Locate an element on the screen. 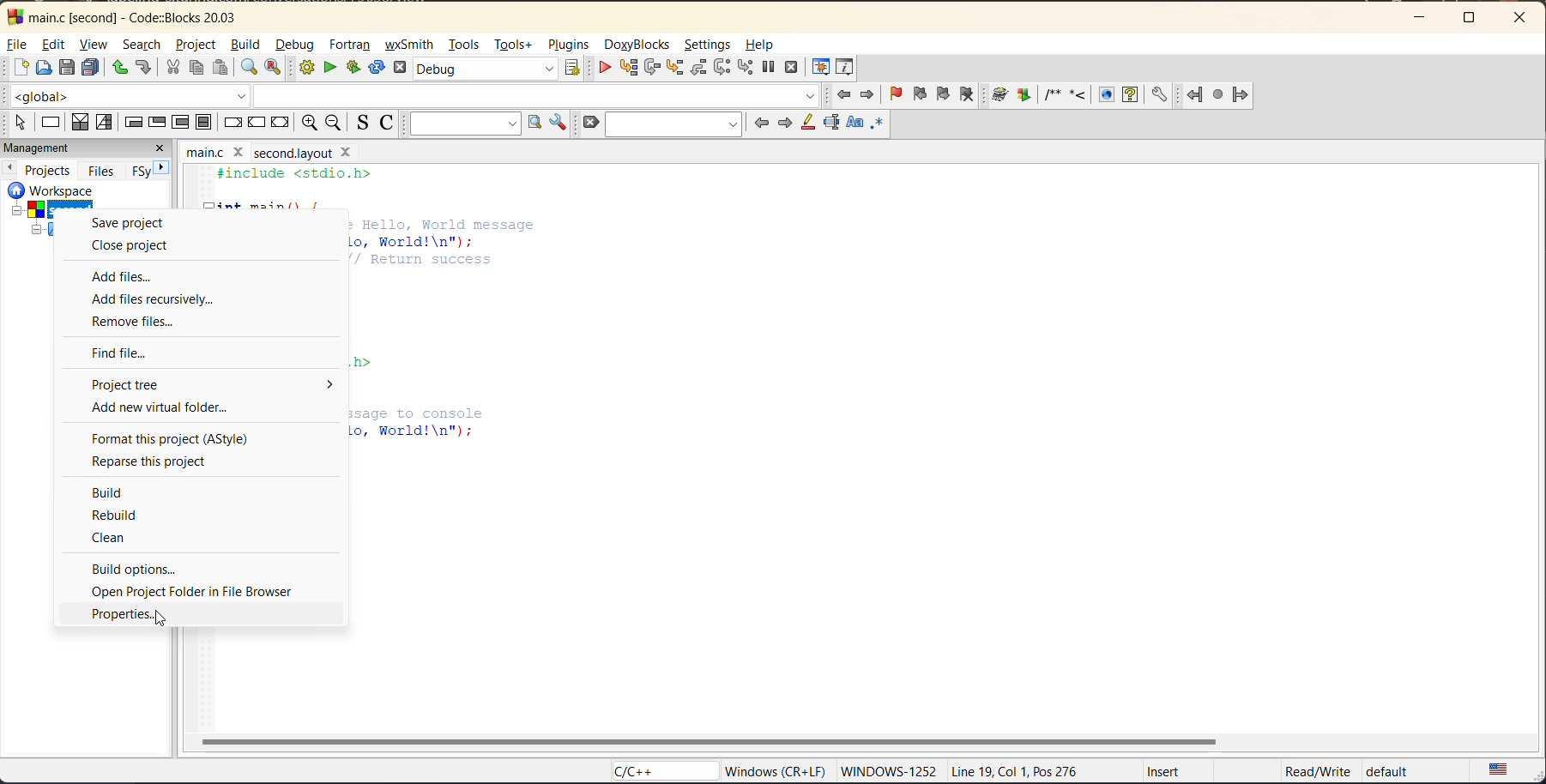  jump back is located at coordinates (847, 95).